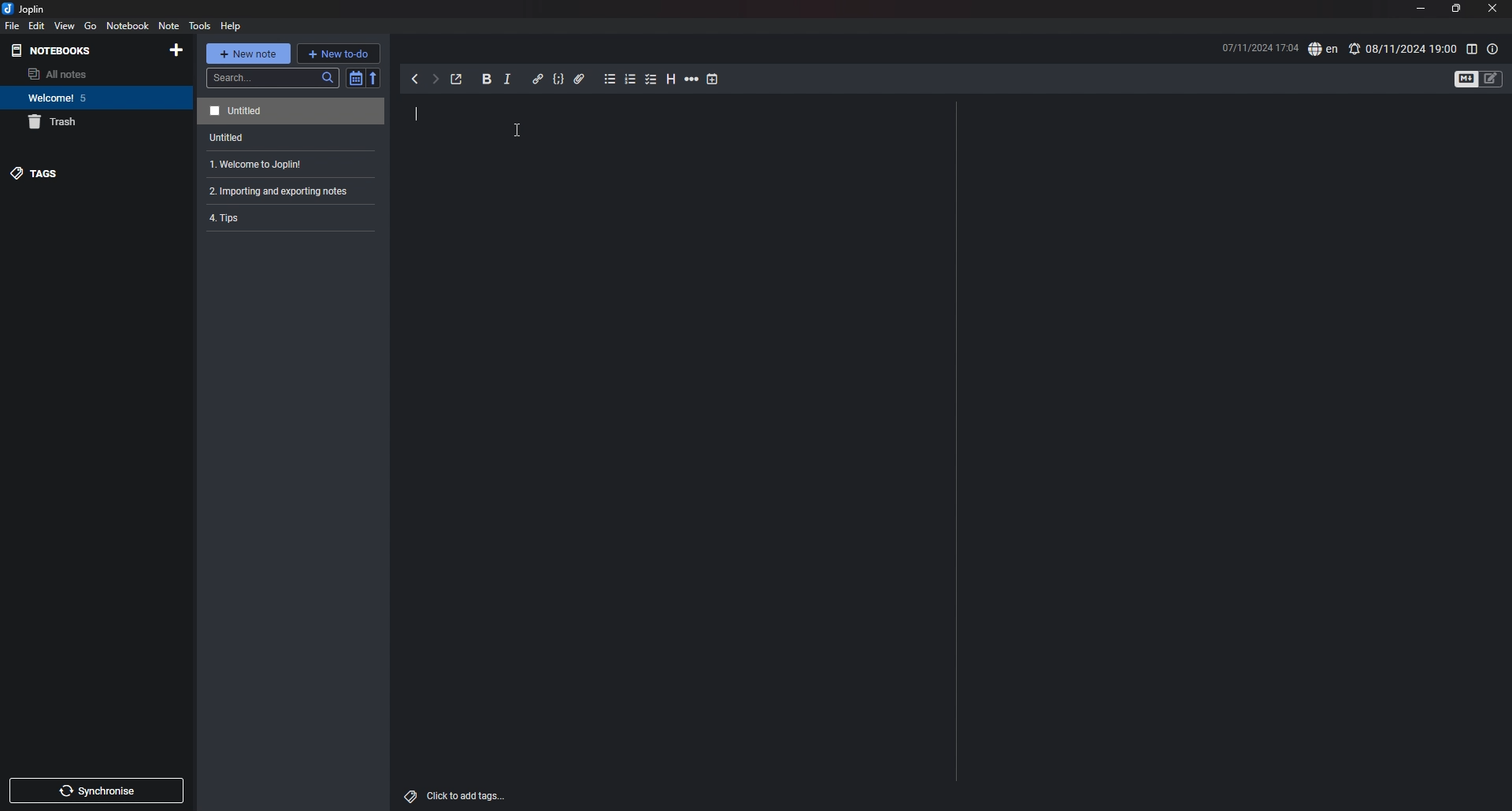 The height and width of the screenshot is (811, 1512). I want to click on add tags, so click(457, 796).